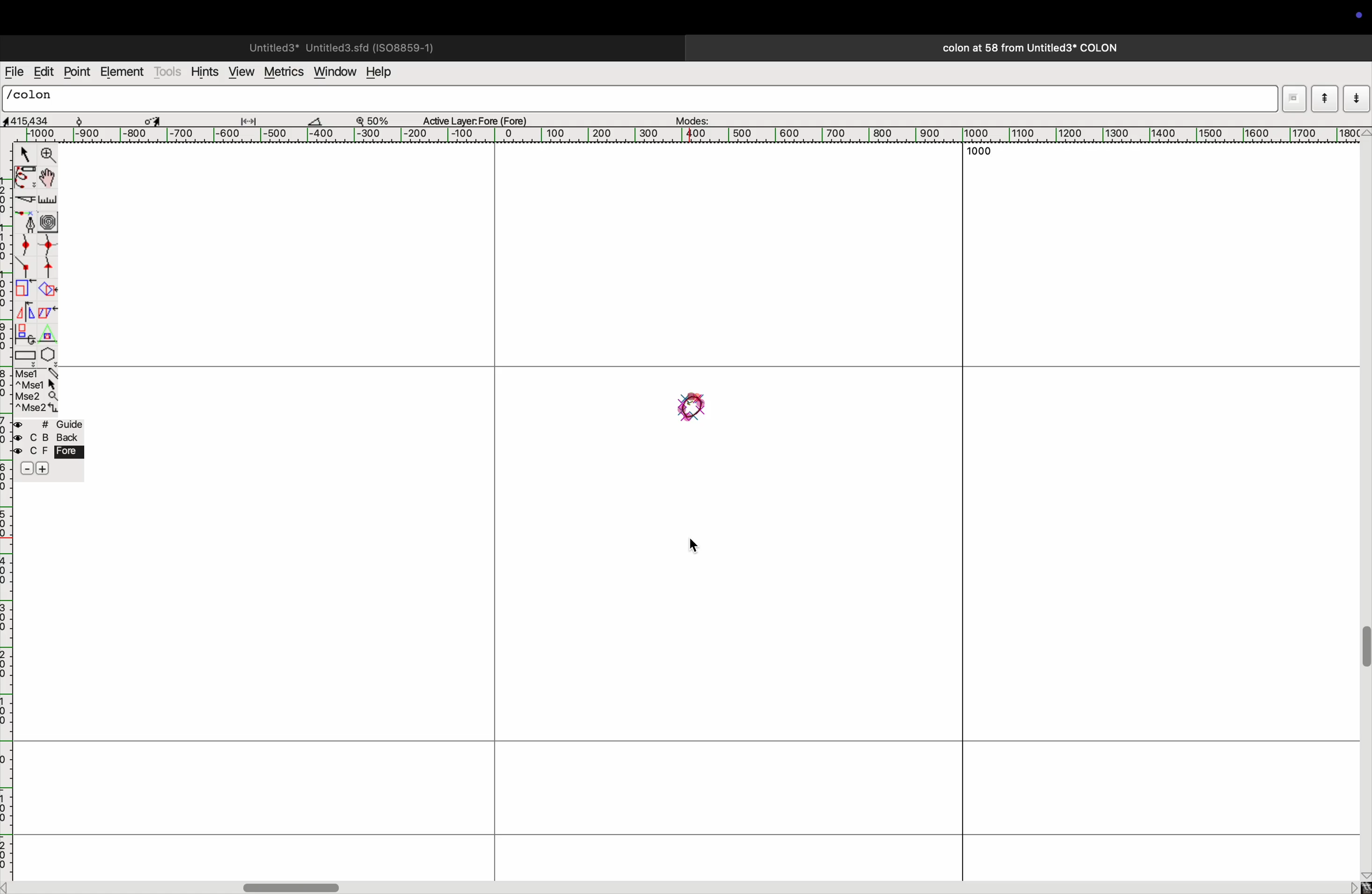  What do you see at coordinates (701, 135) in the screenshot?
I see `horizontal scale` at bounding box center [701, 135].